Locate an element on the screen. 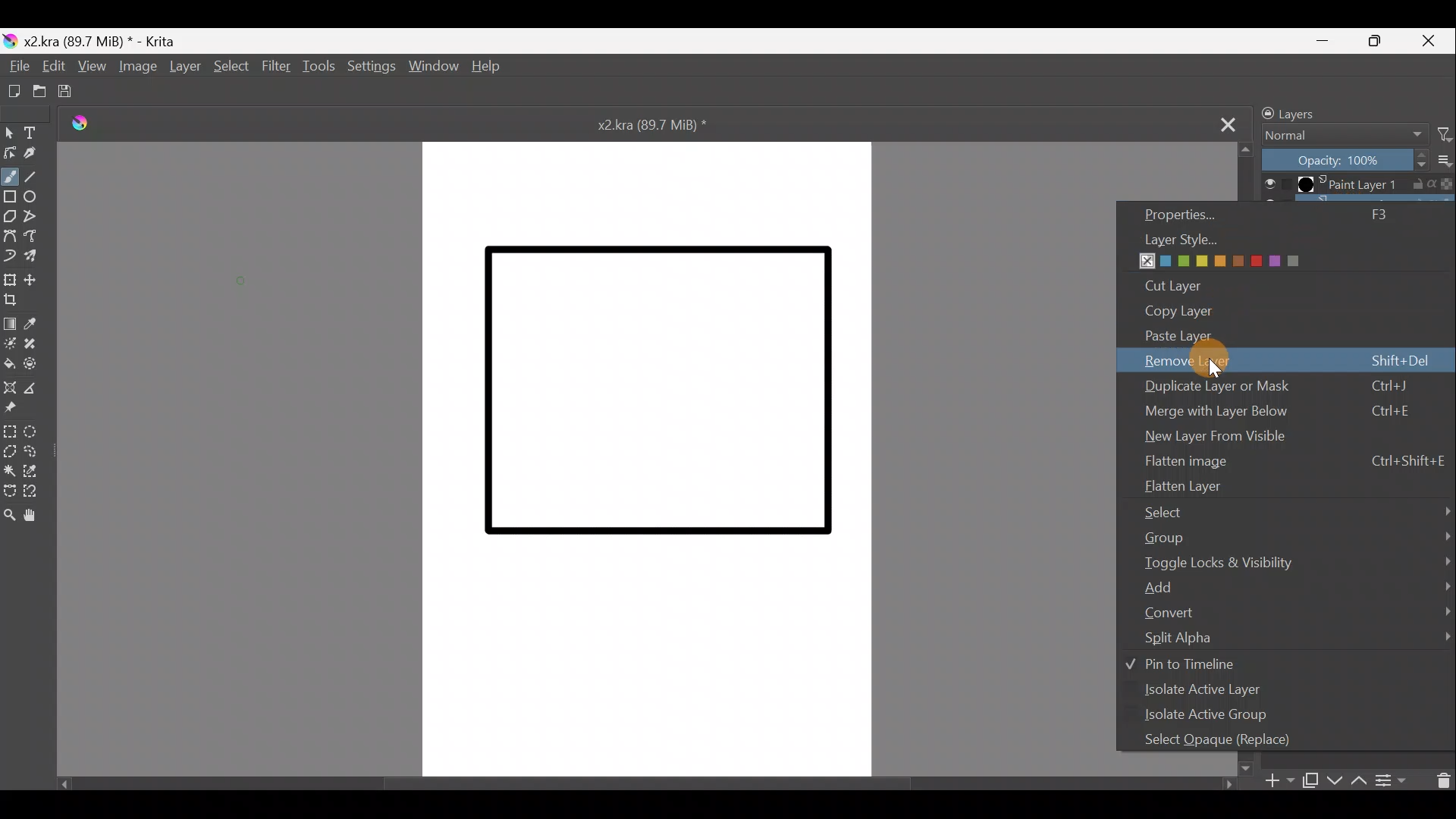  Group is located at coordinates (1297, 536).